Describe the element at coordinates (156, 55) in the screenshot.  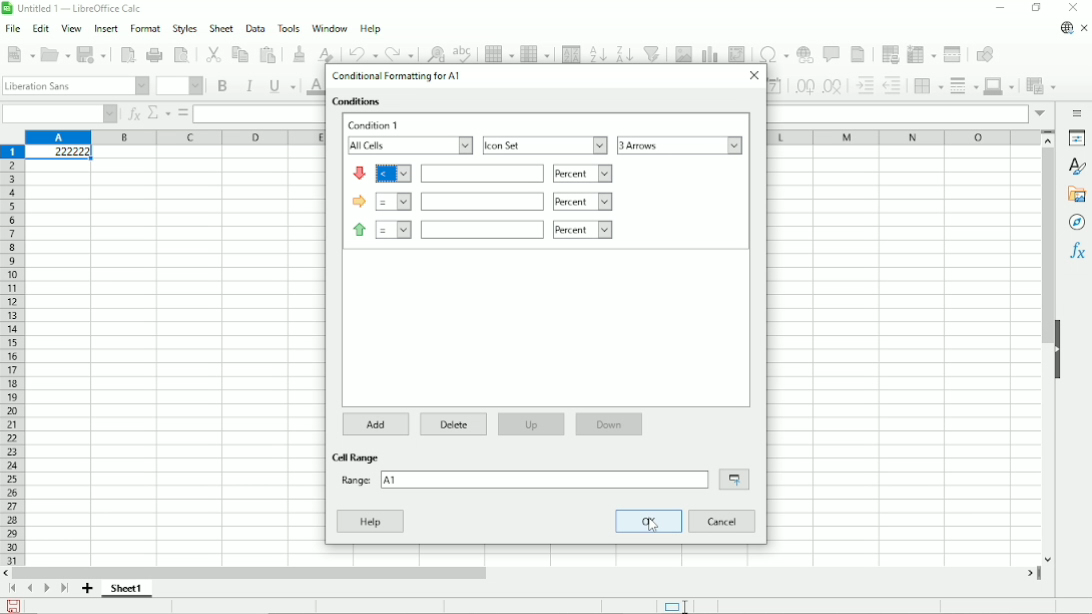
I see `Print` at that location.